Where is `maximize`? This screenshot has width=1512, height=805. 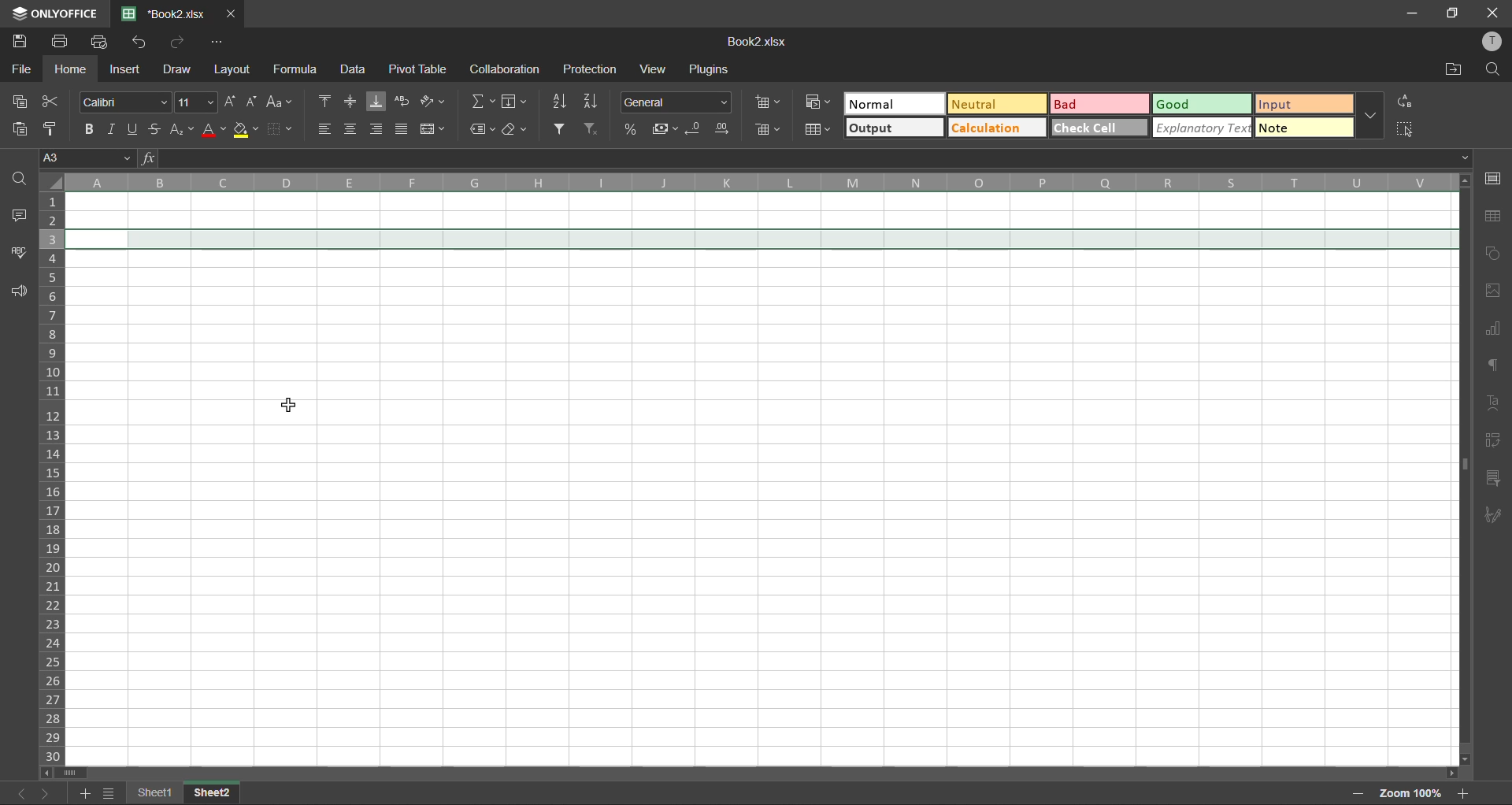
maximize is located at coordinates (1452, 14).